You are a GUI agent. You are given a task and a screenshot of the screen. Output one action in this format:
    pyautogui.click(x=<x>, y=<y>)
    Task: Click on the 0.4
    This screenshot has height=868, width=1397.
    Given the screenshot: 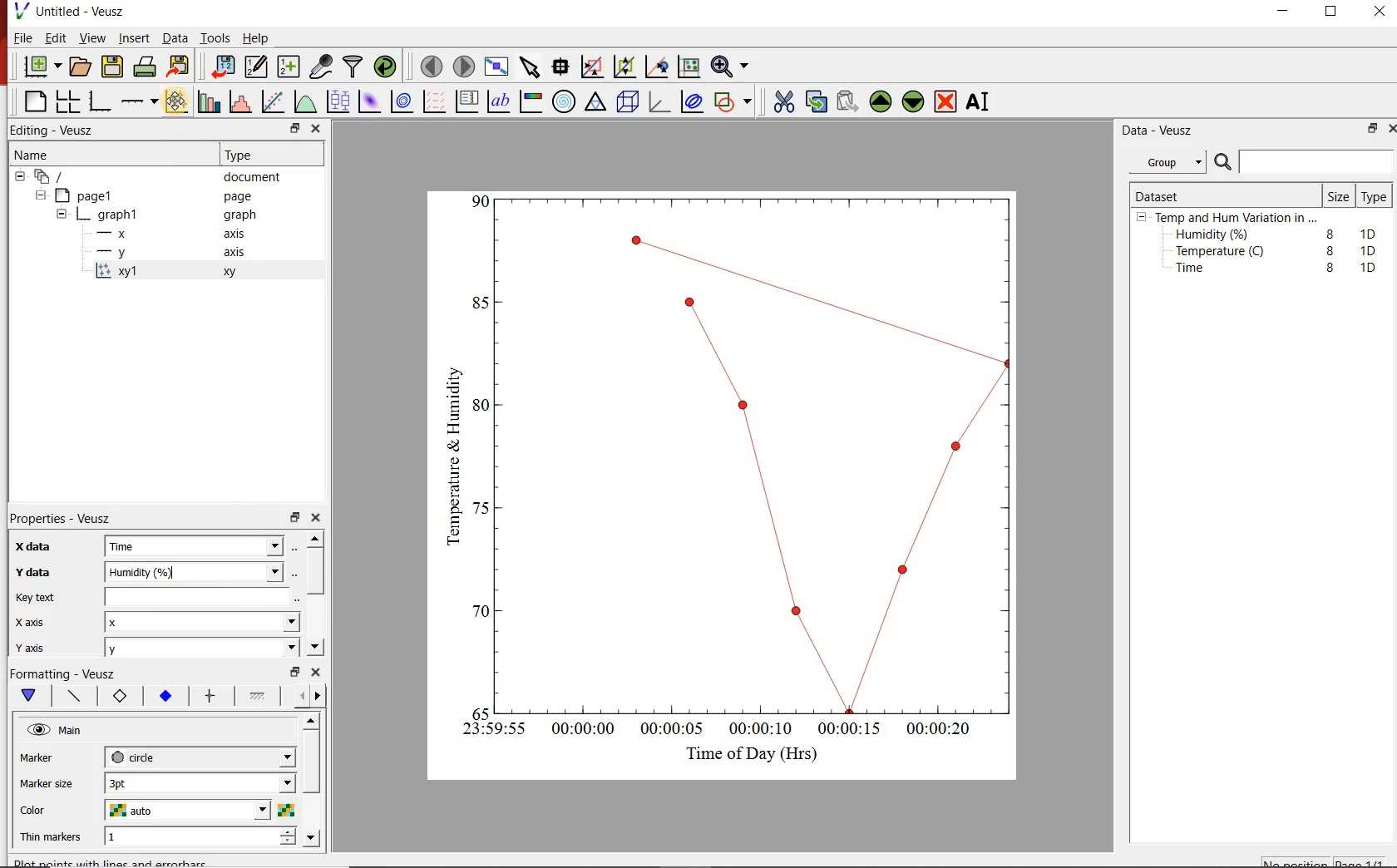 What is the action you would take?
    pyautogui.click(x=481, y=508)
    